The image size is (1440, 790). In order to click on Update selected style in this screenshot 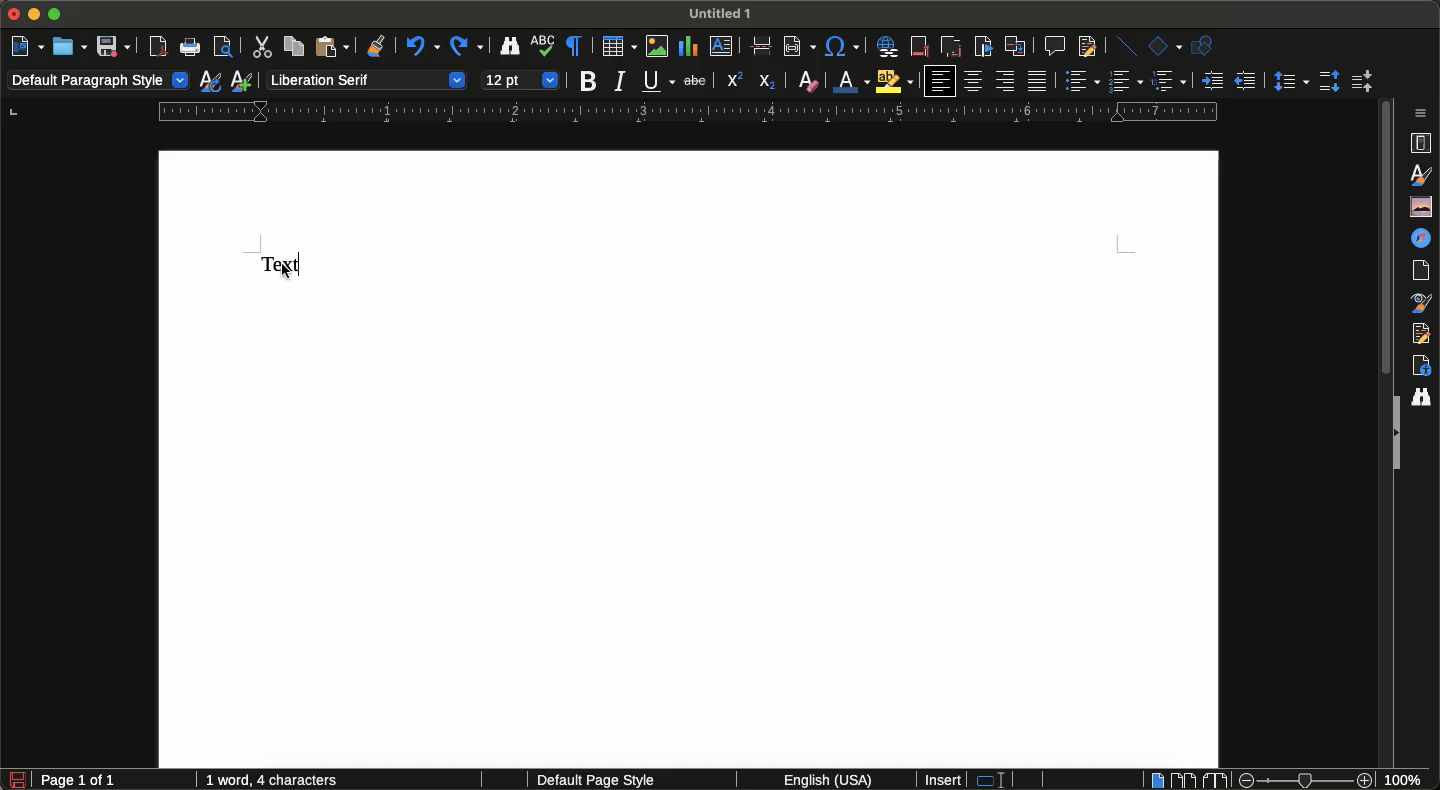, I will do `click(211, 81)`.